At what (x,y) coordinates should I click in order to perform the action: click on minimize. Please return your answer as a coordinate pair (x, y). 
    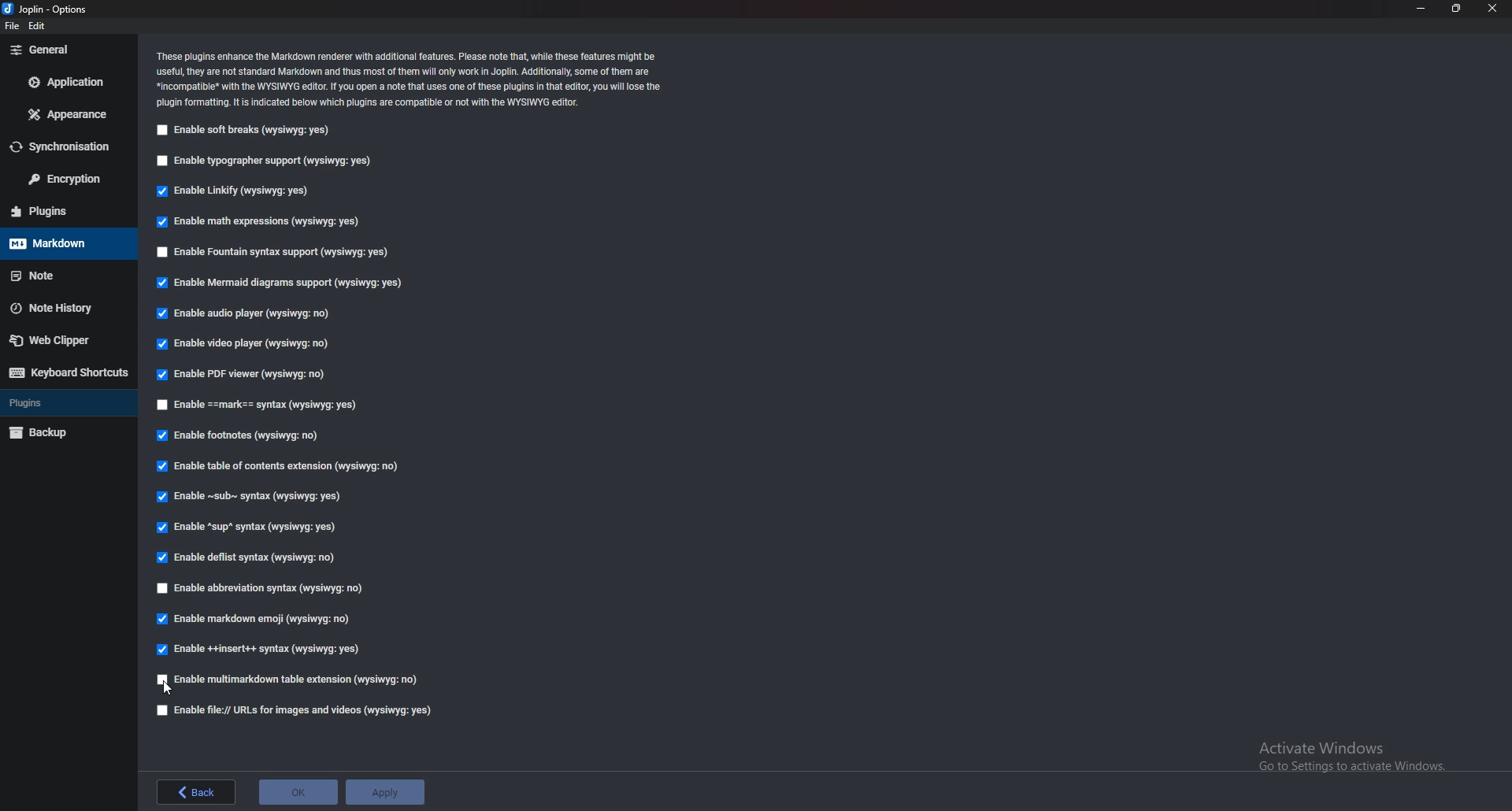
    Looking at the image, I should click on (1421, 8).